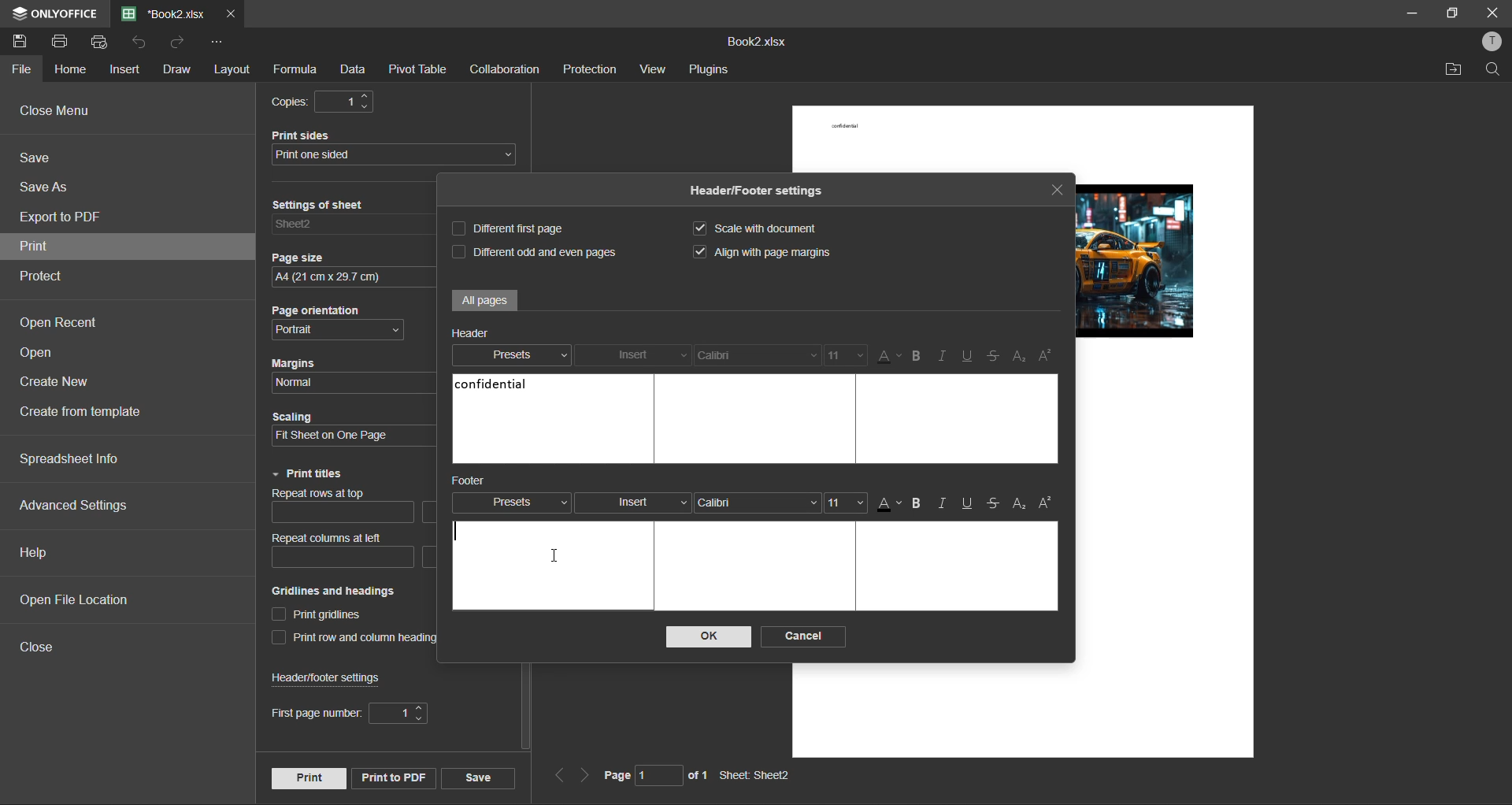  What do you see at coordinates (394, 778) in the screenshot?
I see `print to pdf` at bounding box center [394, 778].